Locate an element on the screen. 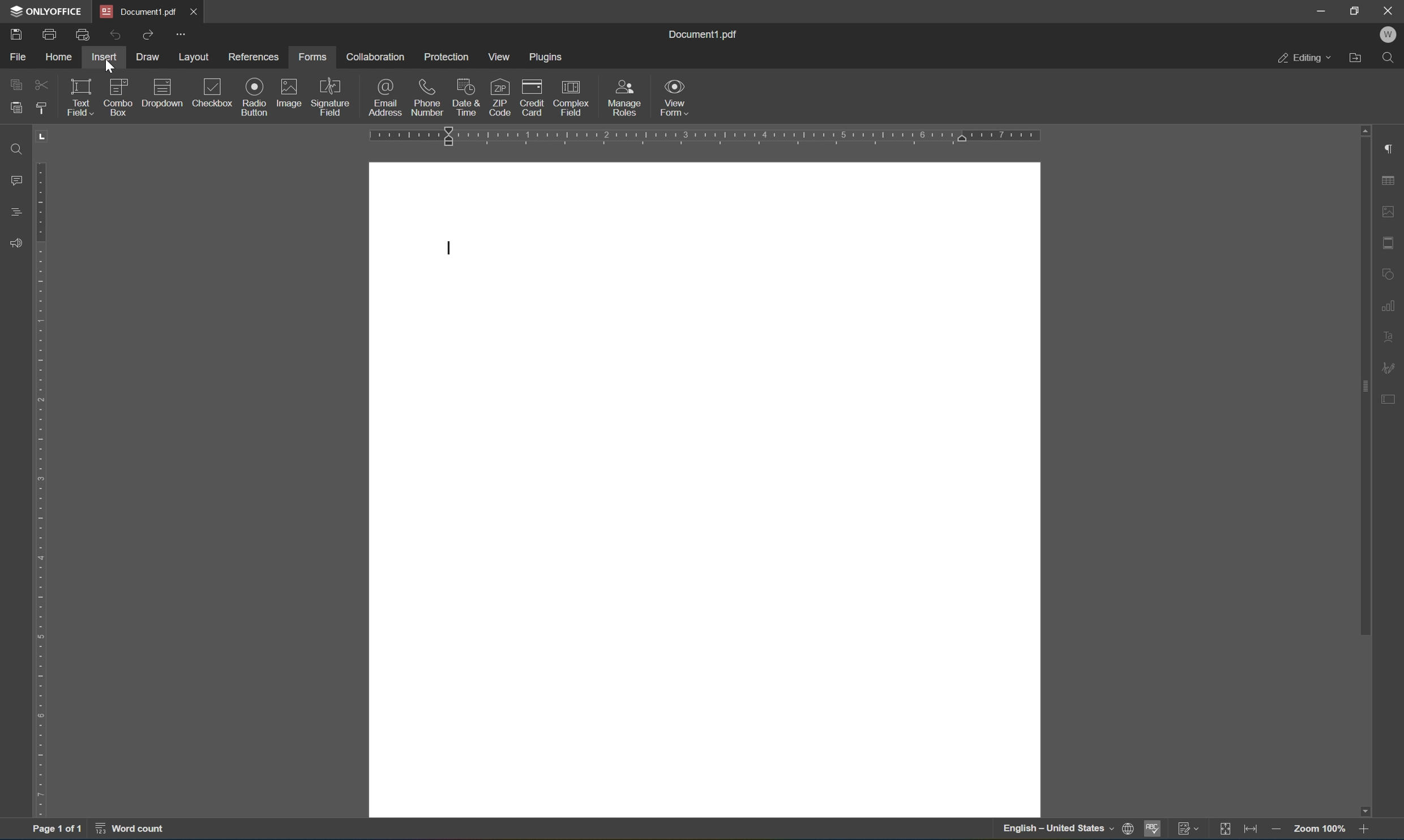  references is located at coordinates (251, 59).